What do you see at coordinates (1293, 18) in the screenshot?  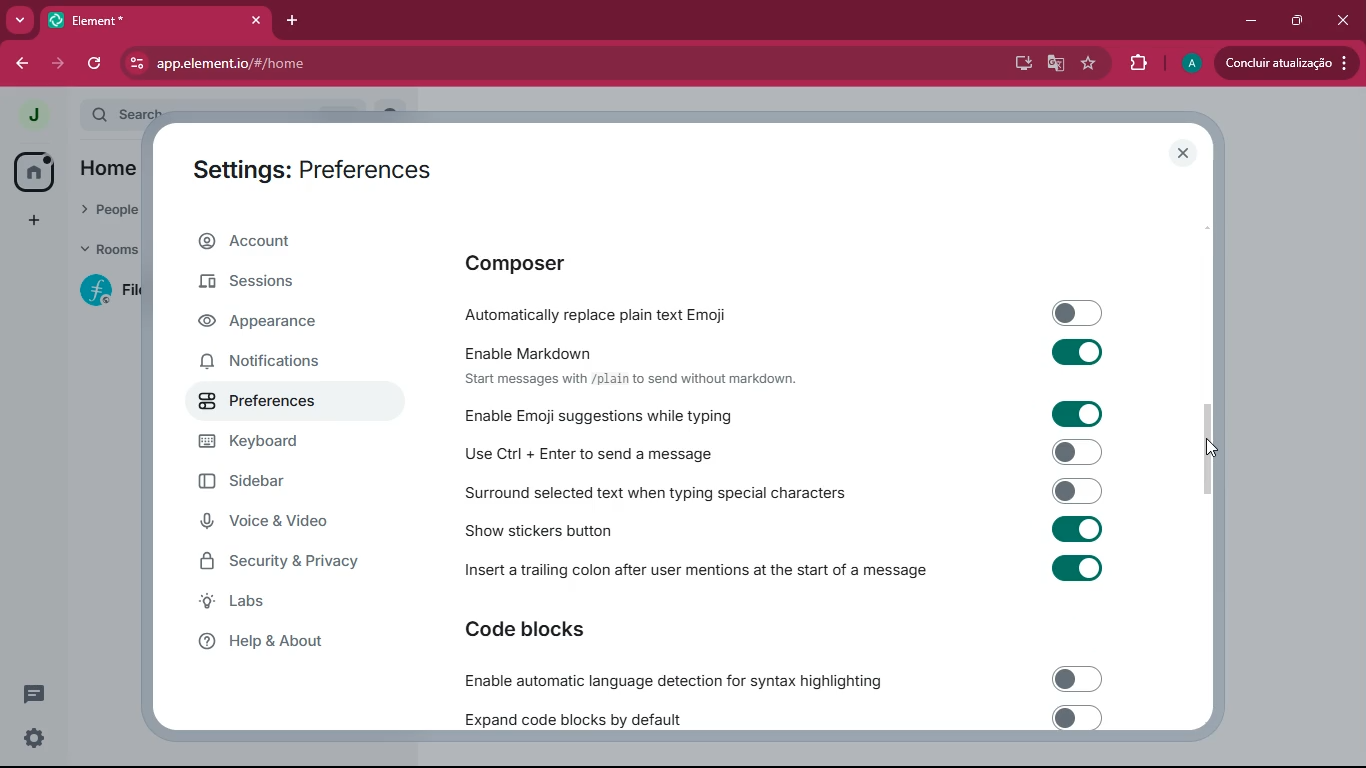 I see `maximize` at bounding box center [1293, 18].